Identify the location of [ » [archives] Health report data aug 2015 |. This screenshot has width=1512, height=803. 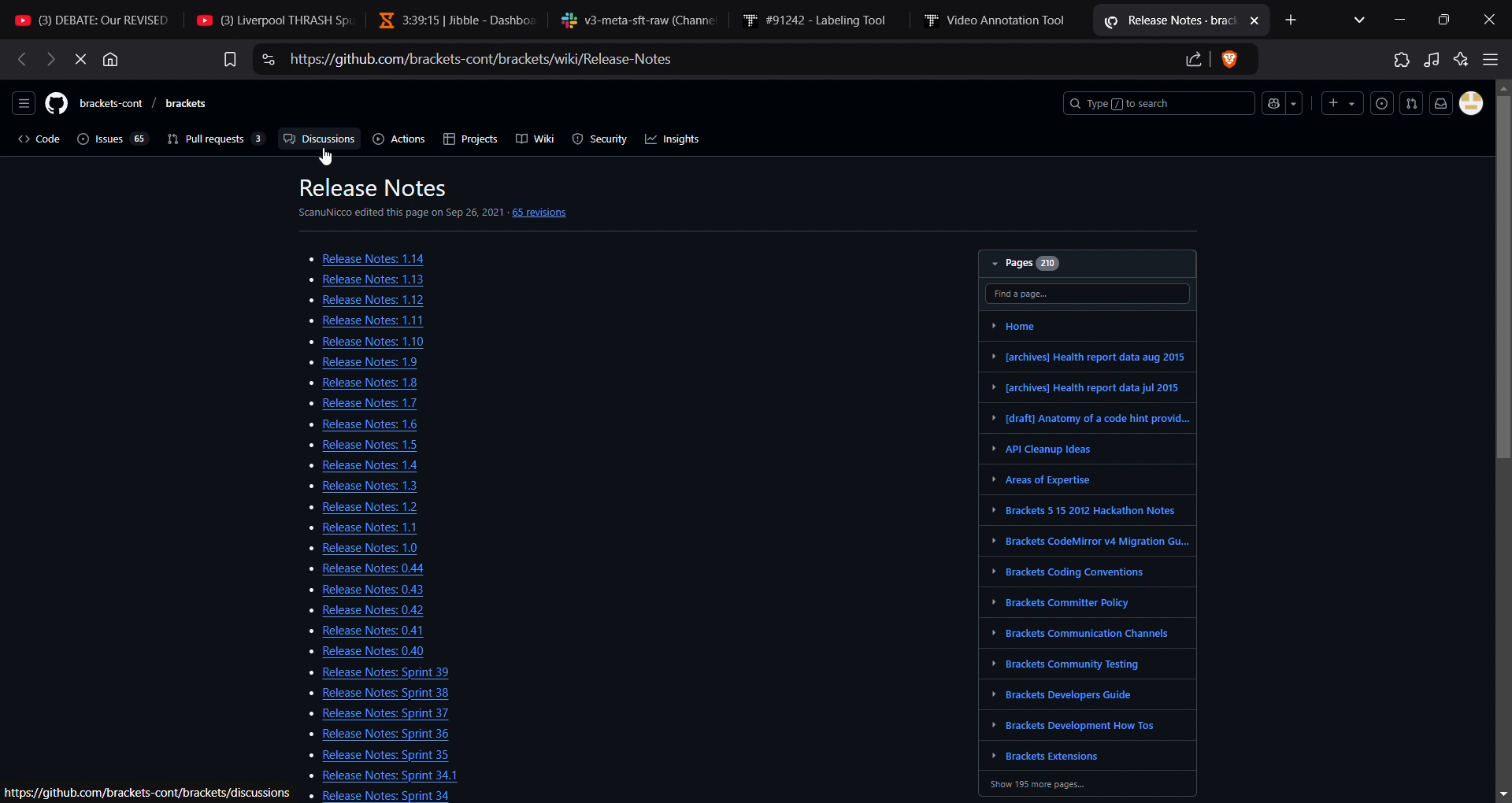
(1095, 354).